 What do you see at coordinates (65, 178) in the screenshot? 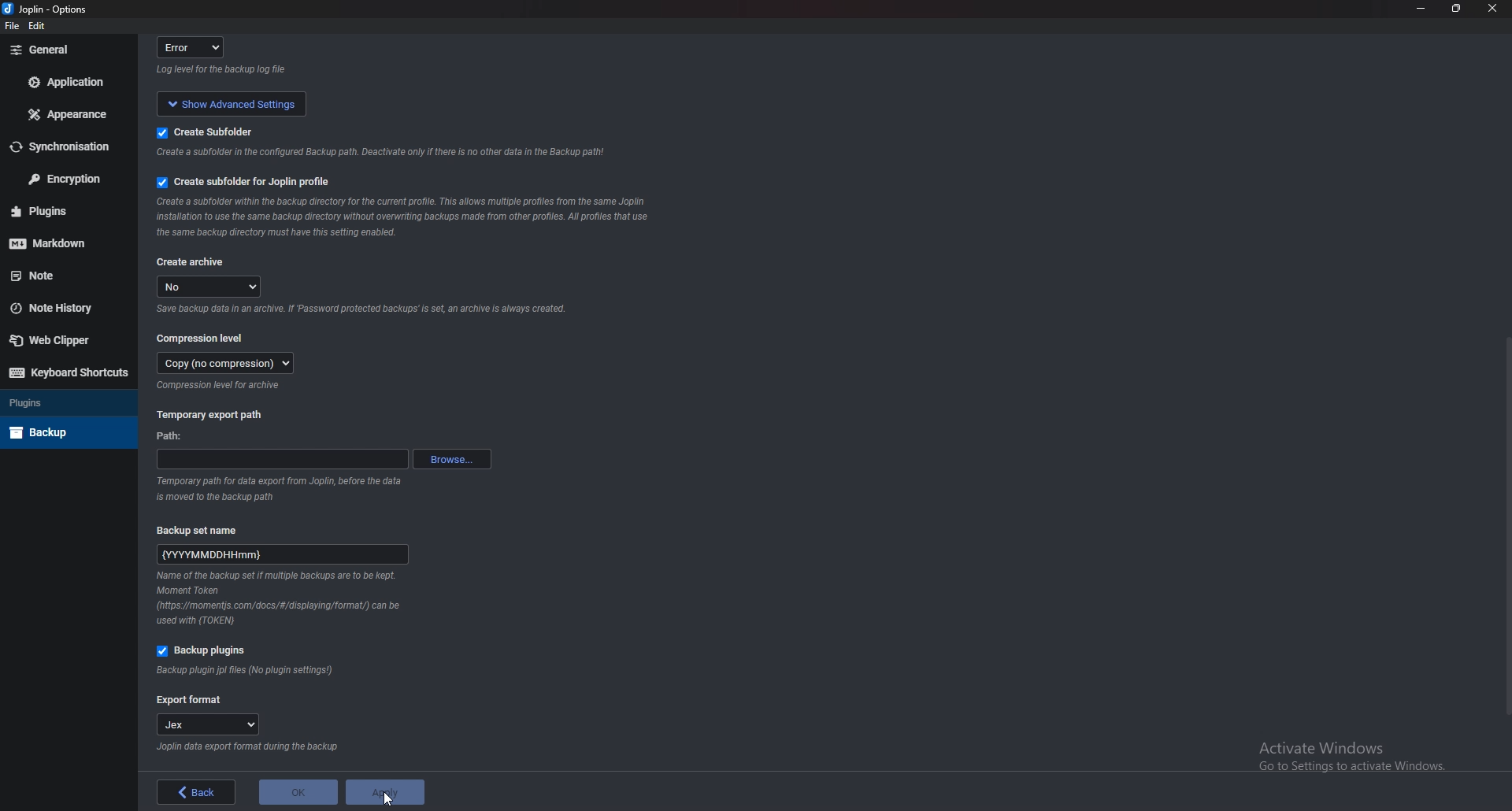
I see `Encryption` at bounding box center [65, 178].